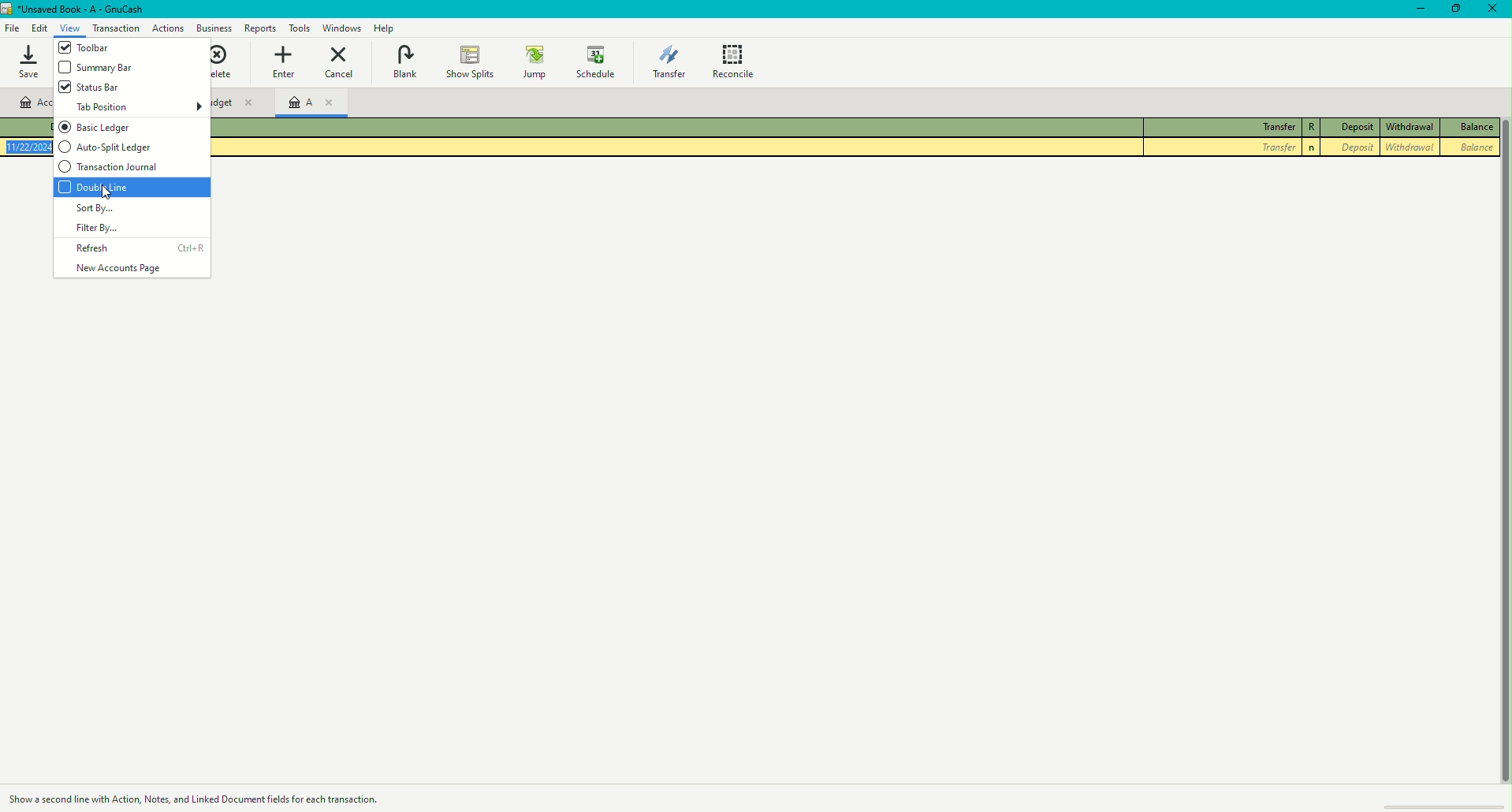  Describe the element at coordinates (31, 102) in the screenshot. I see `Account` at that location.